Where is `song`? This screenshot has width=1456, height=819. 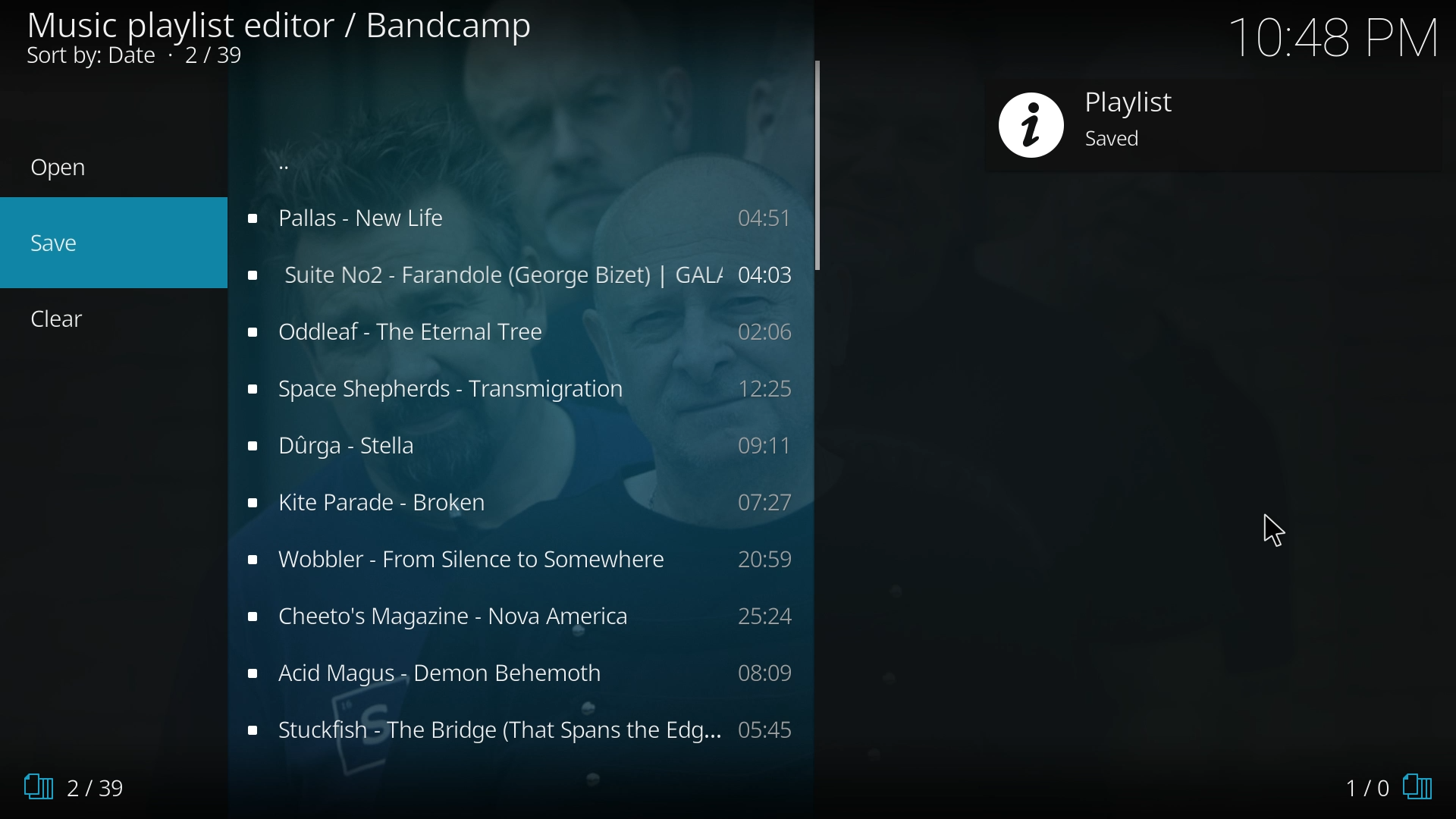
song is located at coordinates (520, 563).